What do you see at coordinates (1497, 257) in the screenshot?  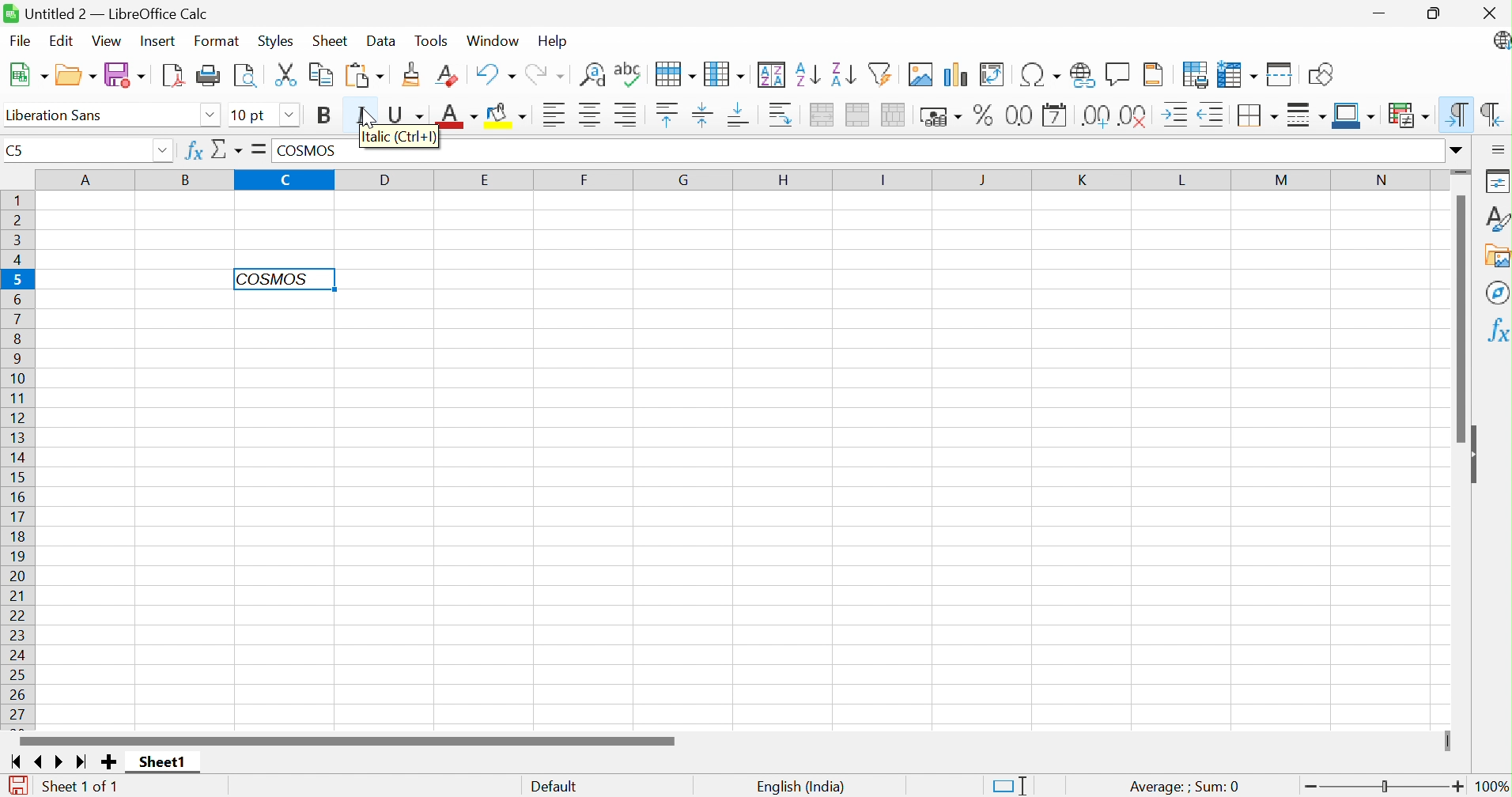 I see `Gallery` at bounding box center [1497, 257].